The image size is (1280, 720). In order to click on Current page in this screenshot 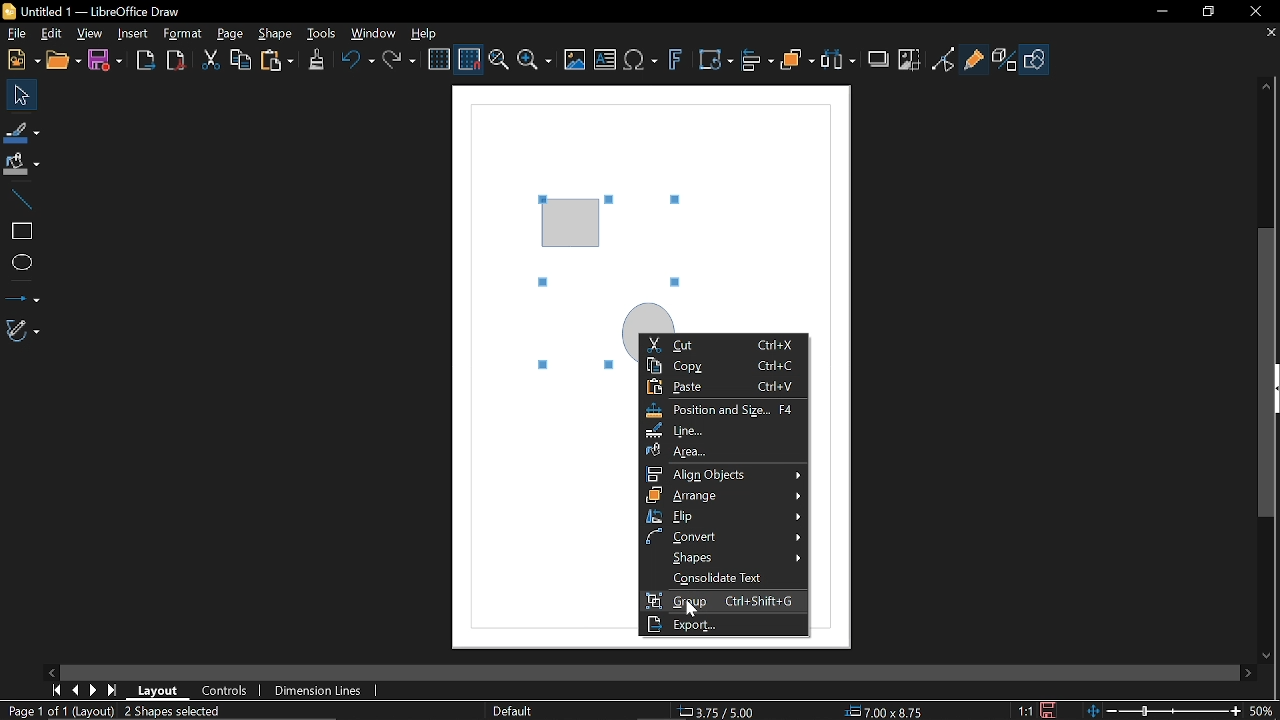, I will do `click(57, 711)`.